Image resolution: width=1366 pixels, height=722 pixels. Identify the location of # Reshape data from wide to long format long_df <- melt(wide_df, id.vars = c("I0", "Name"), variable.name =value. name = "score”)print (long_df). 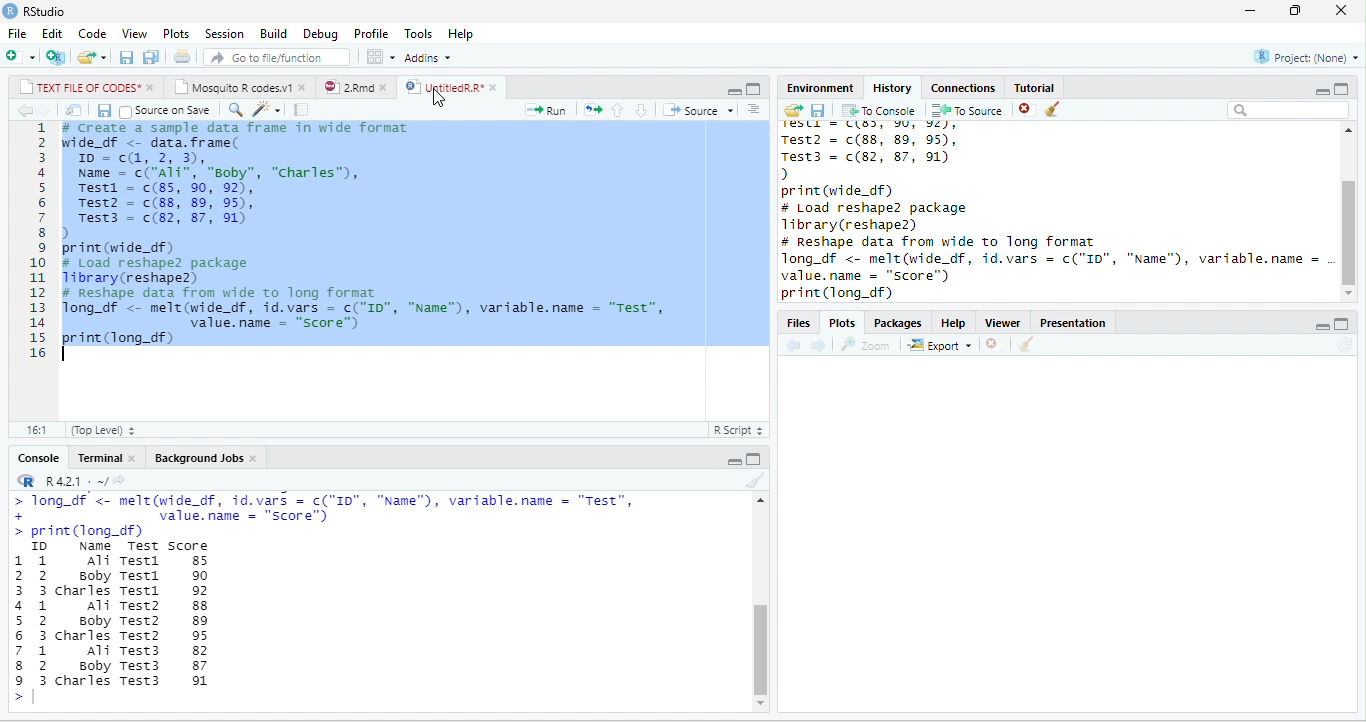
(1055, 269).